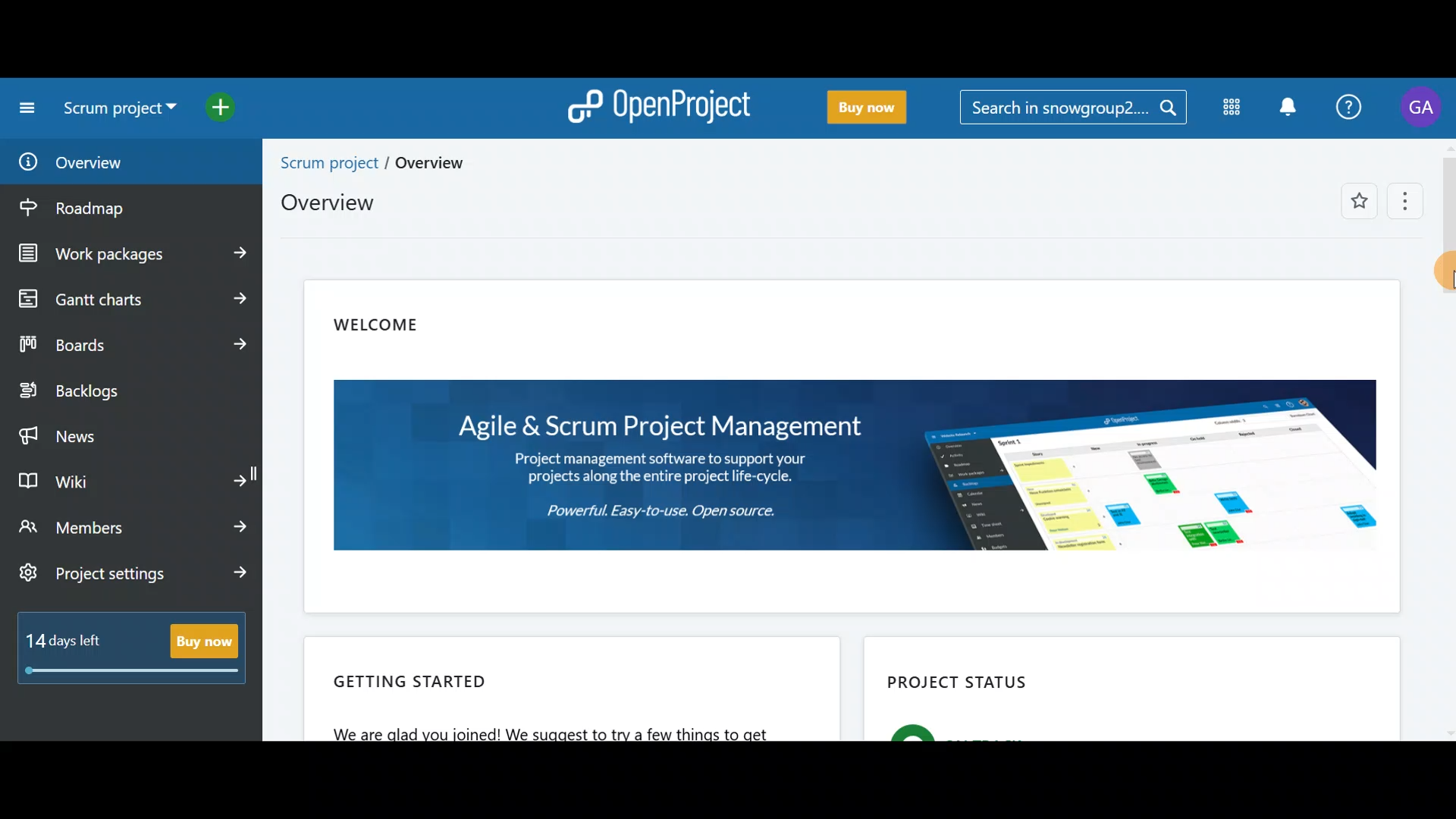  What do you see at coordinates (1228, 111) in the screenshot?
I see `Modules` at bounding box center [1228, 111].